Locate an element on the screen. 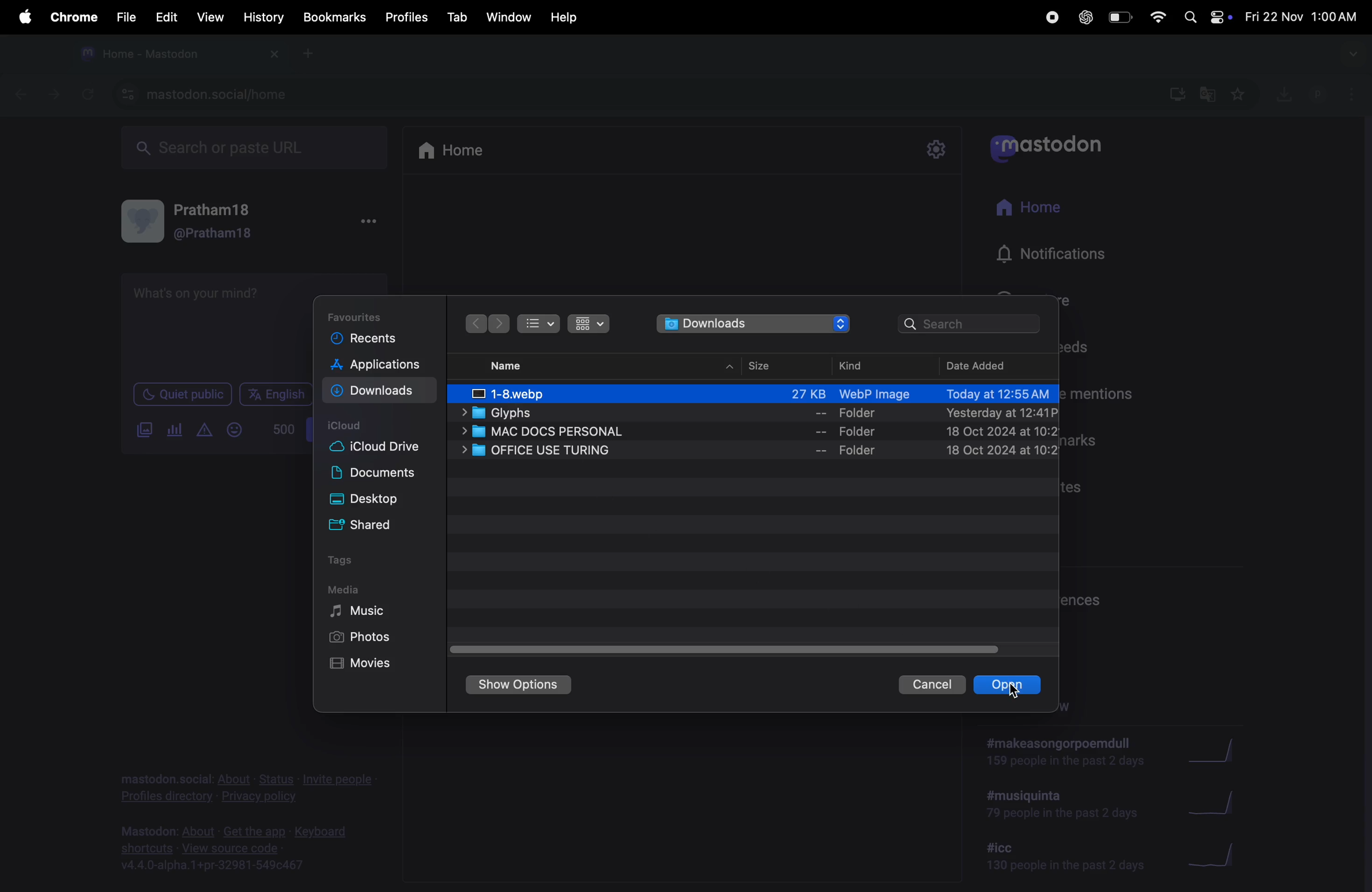 The height and width of the screenshot is (892, 1372). pratham18 is located at coordinates (215, 210).